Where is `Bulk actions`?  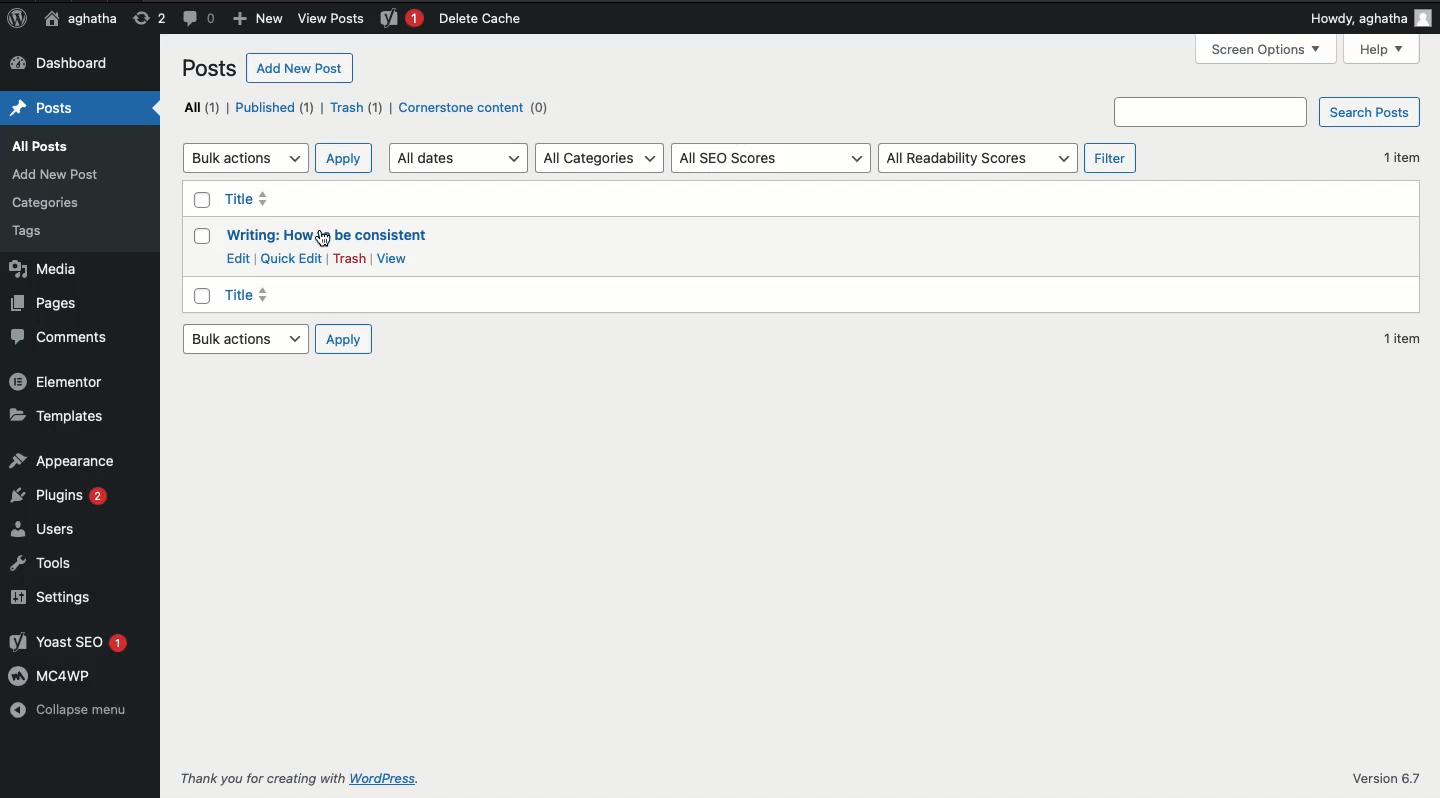 Bulk actions is located at coordinates (244, 157).